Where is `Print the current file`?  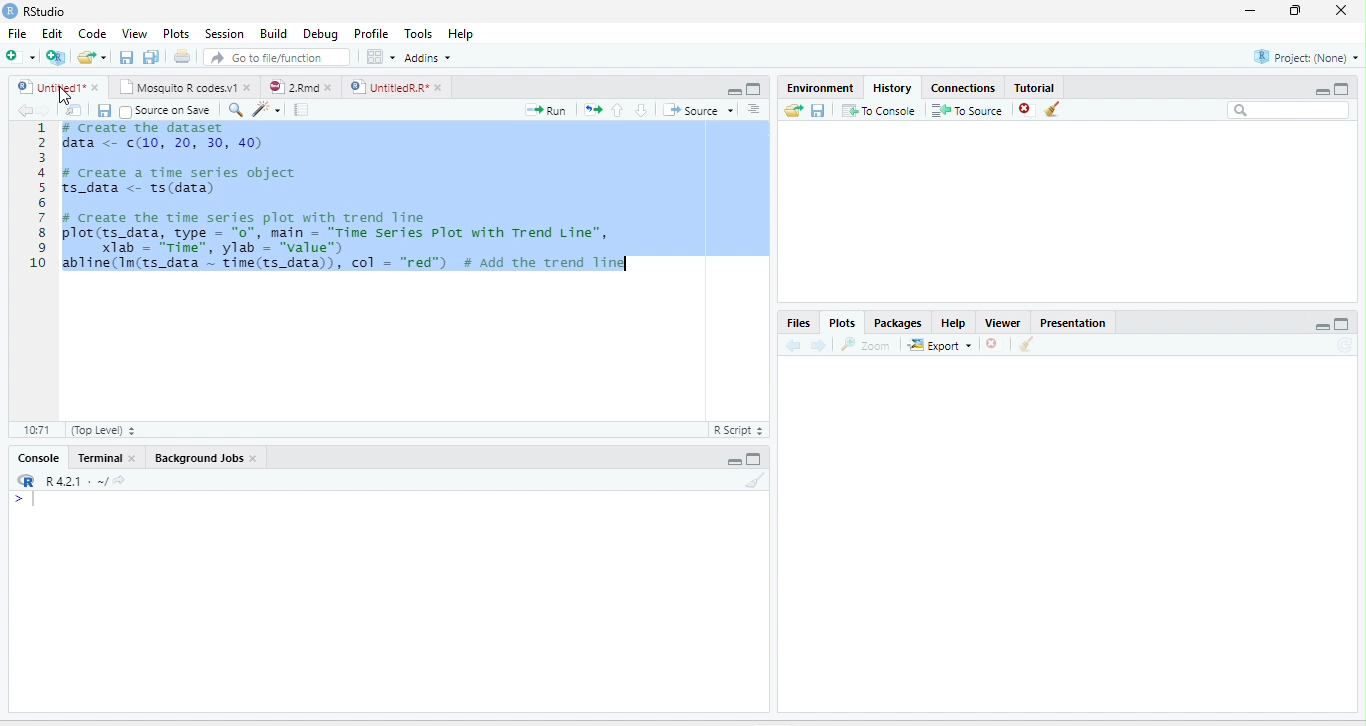
Print the current file is located at coordinates (181, 56).